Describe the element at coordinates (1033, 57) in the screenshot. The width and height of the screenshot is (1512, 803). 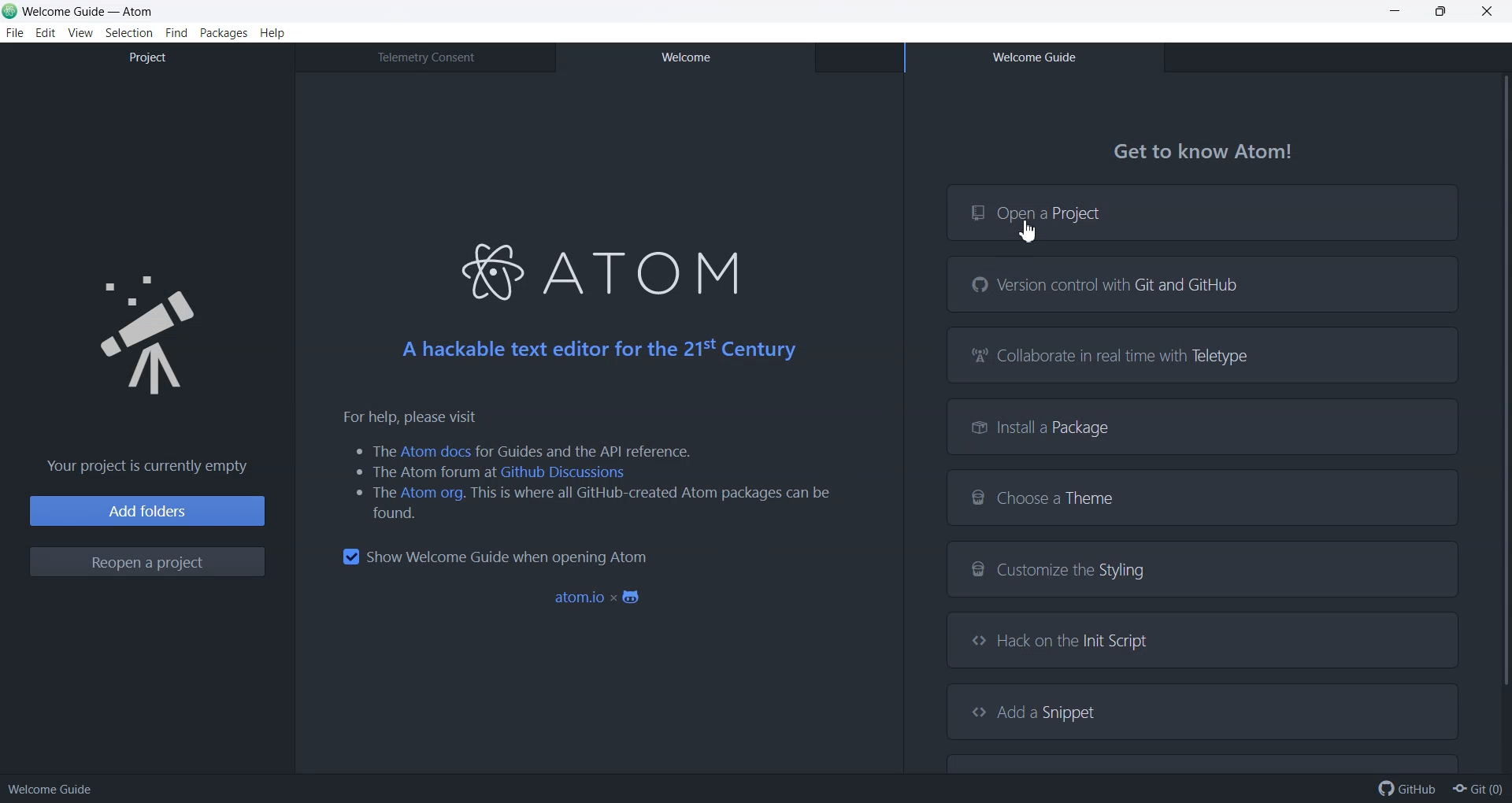
I see `Welcome Guide` at that location.